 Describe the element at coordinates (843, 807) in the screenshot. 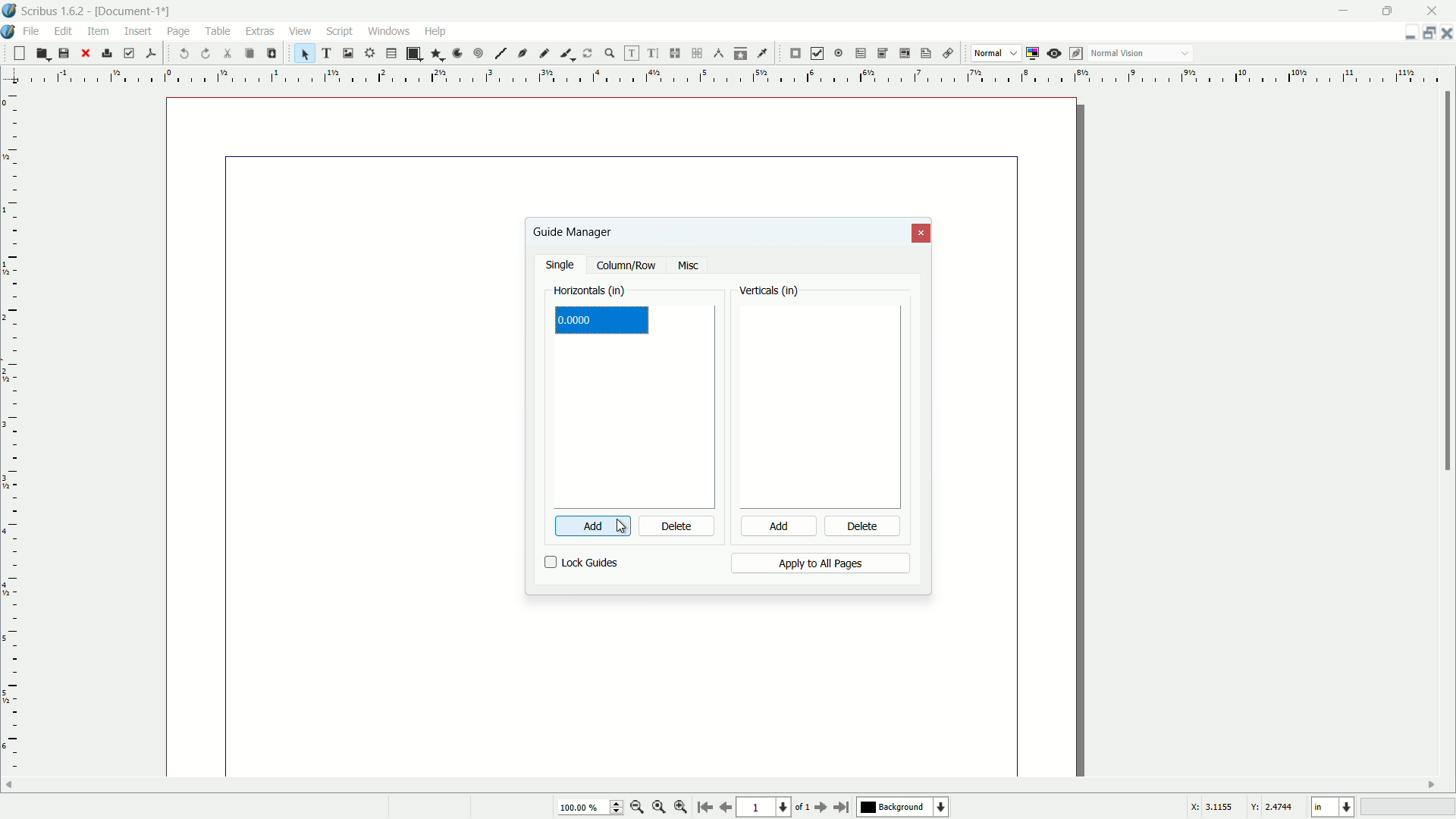

I see `go to last page` at that location.